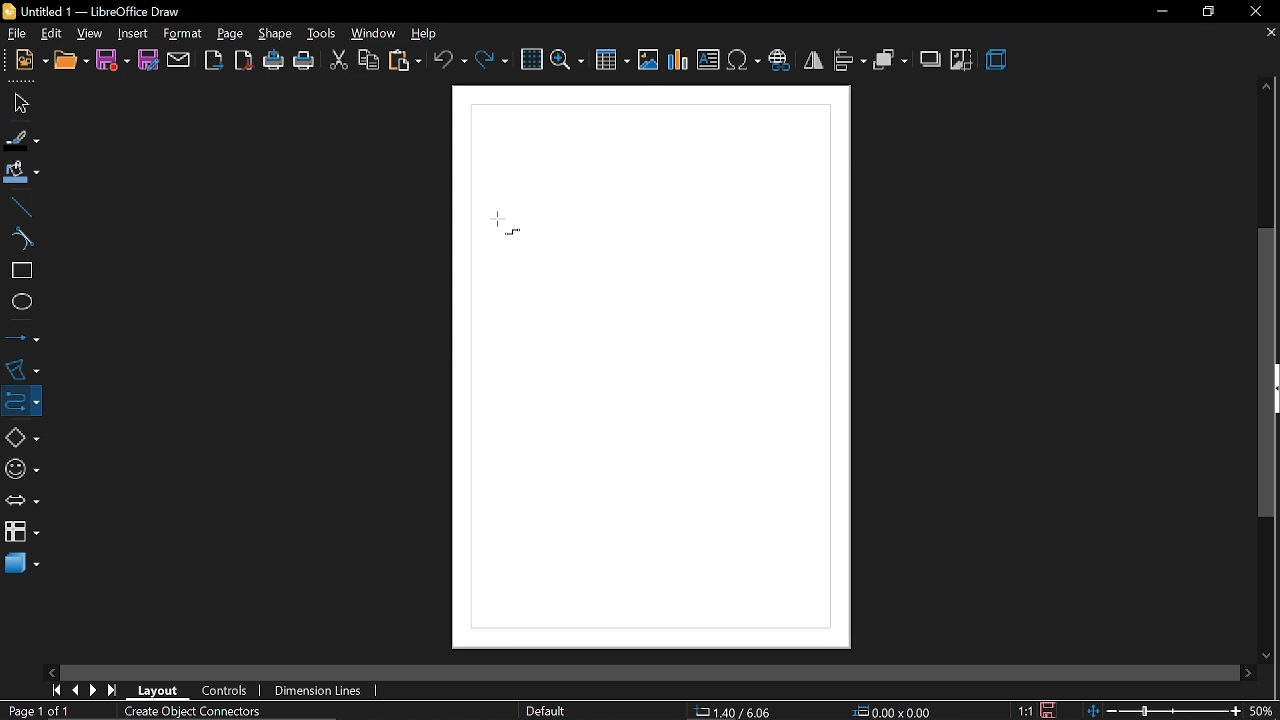 This screenshot has height=720, width=1280. What do you see at coordinates (740, 712) in the screenshot?
I see `1.40/6.06` at bounding box center [740, 712].